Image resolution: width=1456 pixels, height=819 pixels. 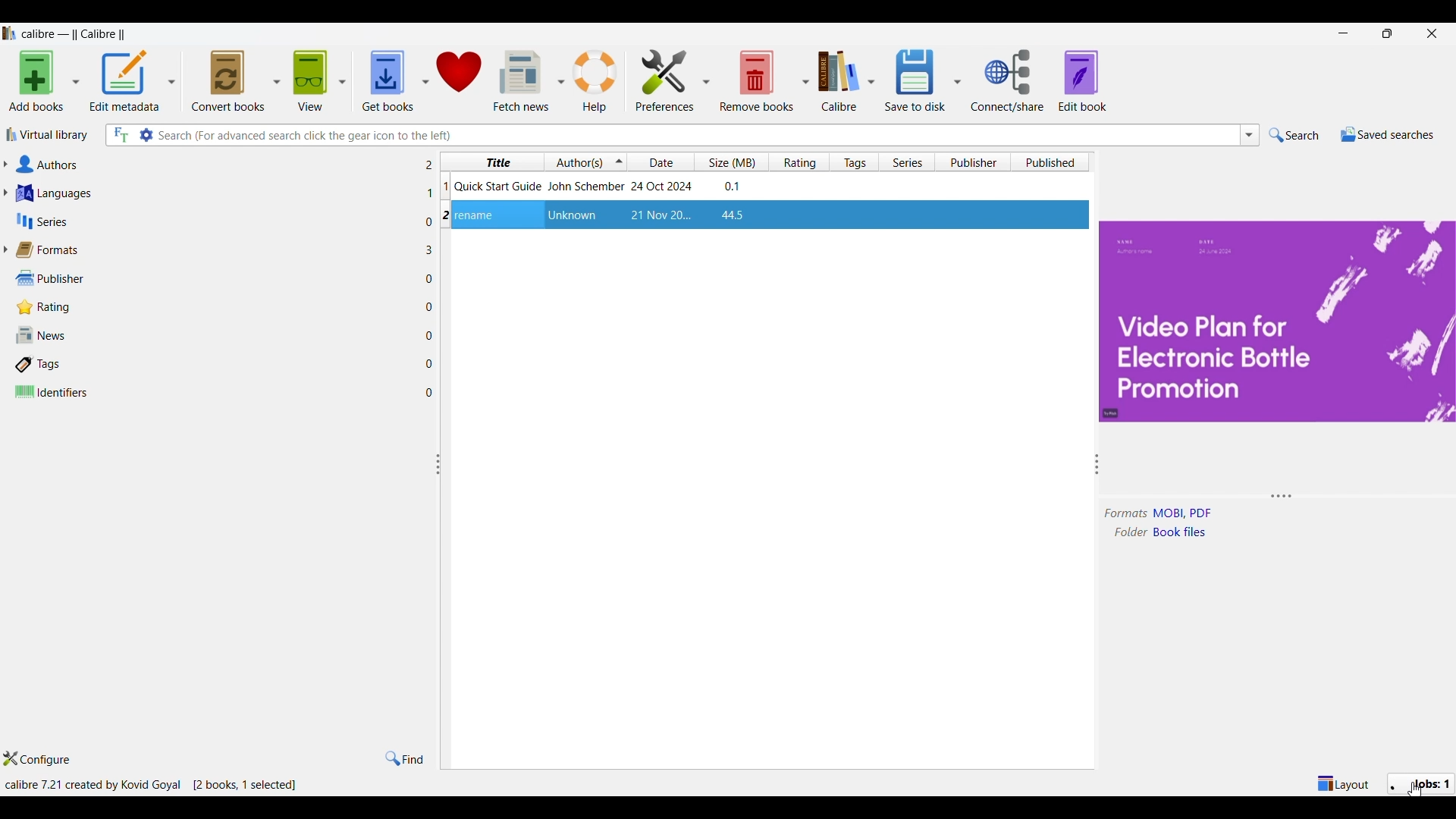 What do you see at coordinates (342, 80) in the screenshot?
I see `View options` at bounding box center [342, 80].